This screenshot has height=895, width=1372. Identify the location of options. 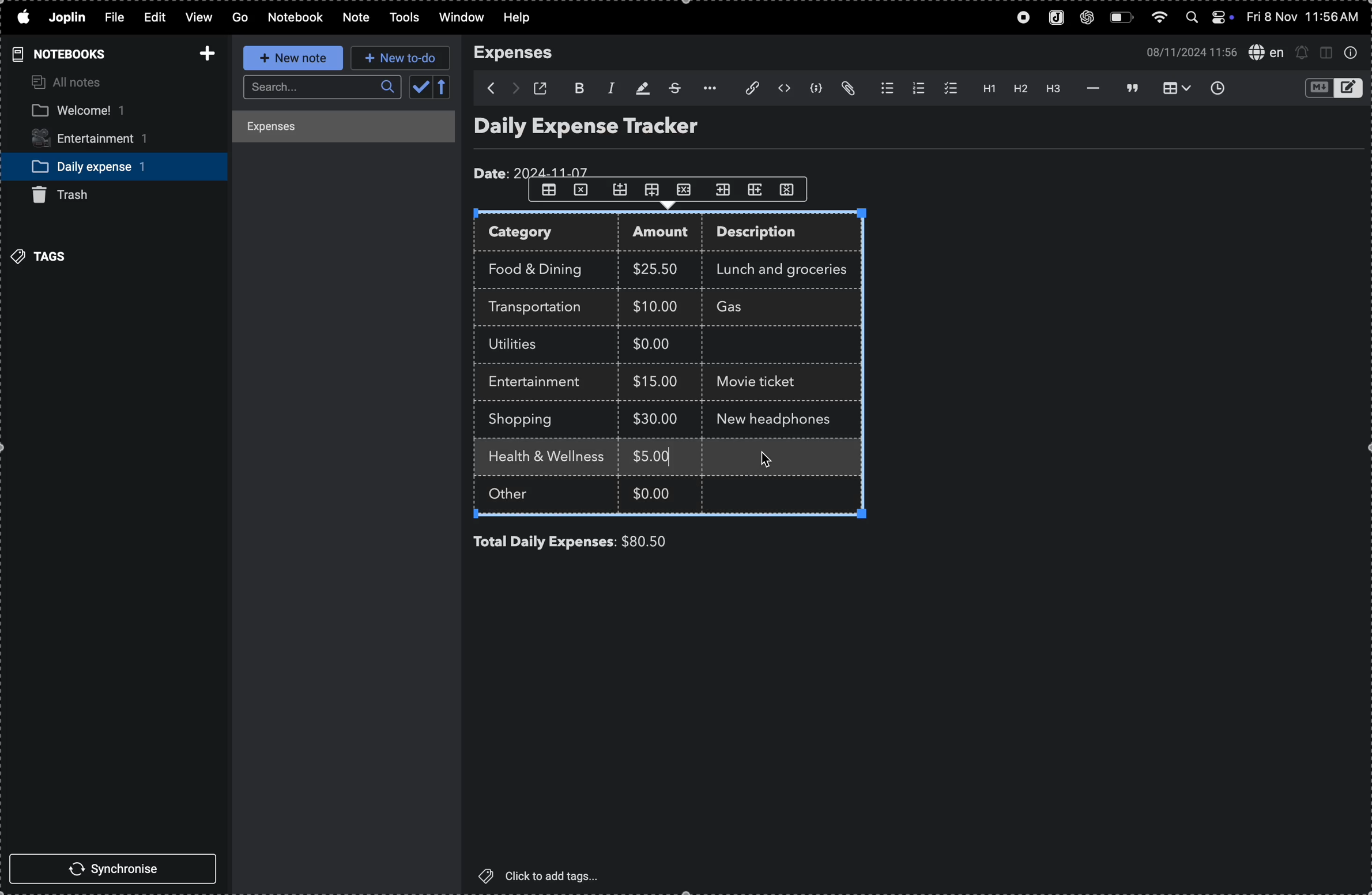
(706, 88).